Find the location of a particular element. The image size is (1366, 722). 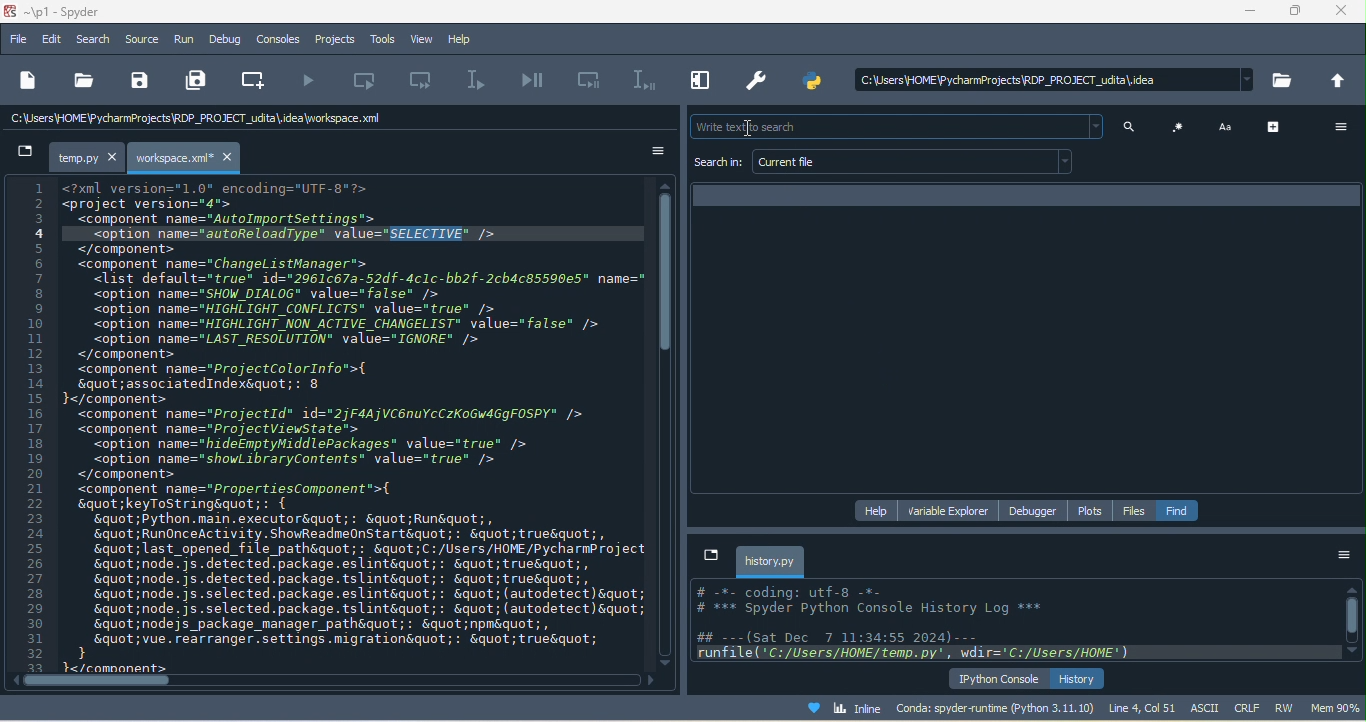

c\users\home\pycharm project is located at coordinates (222, 121).